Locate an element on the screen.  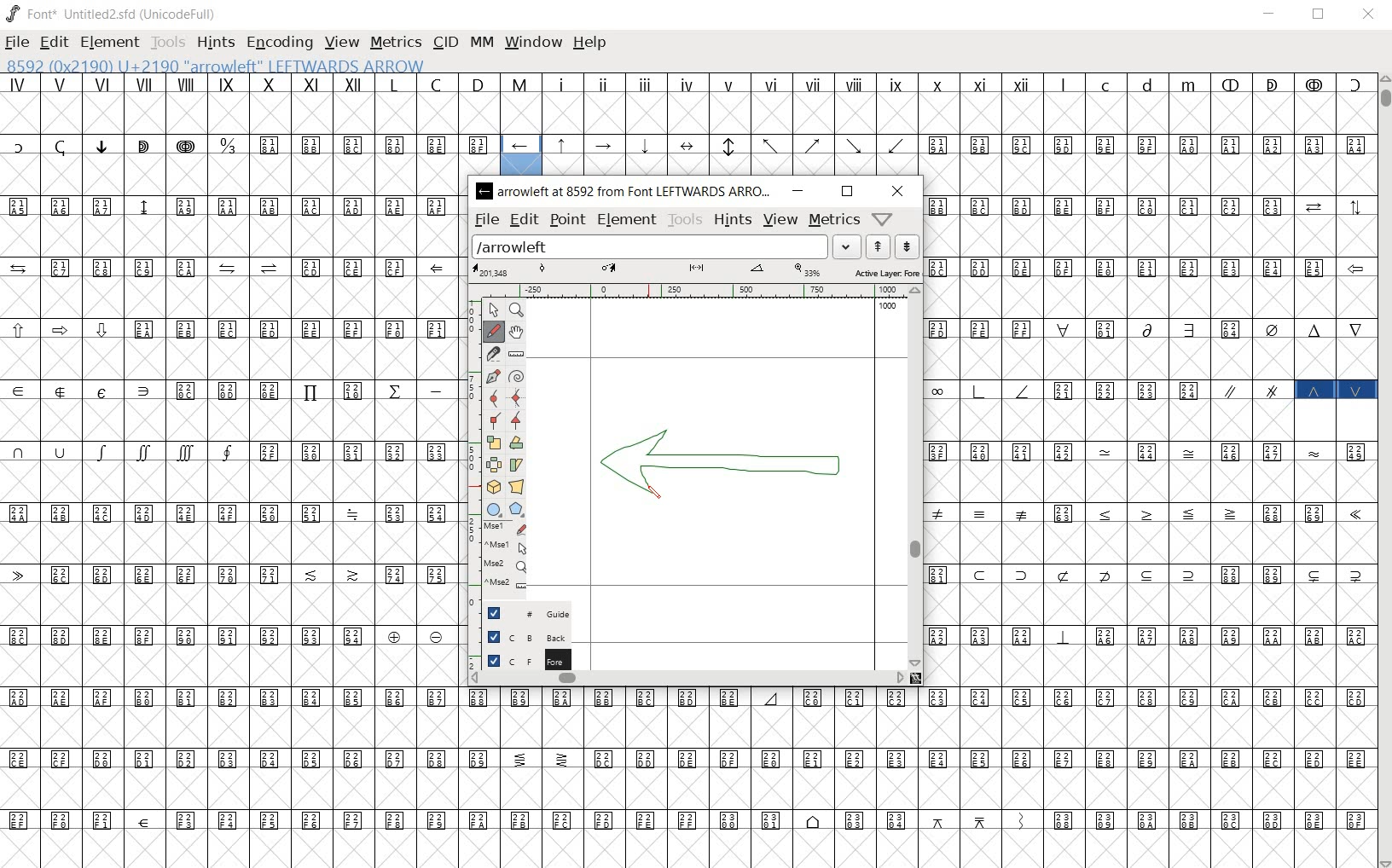
ruler is located at coordinates (692, 292).